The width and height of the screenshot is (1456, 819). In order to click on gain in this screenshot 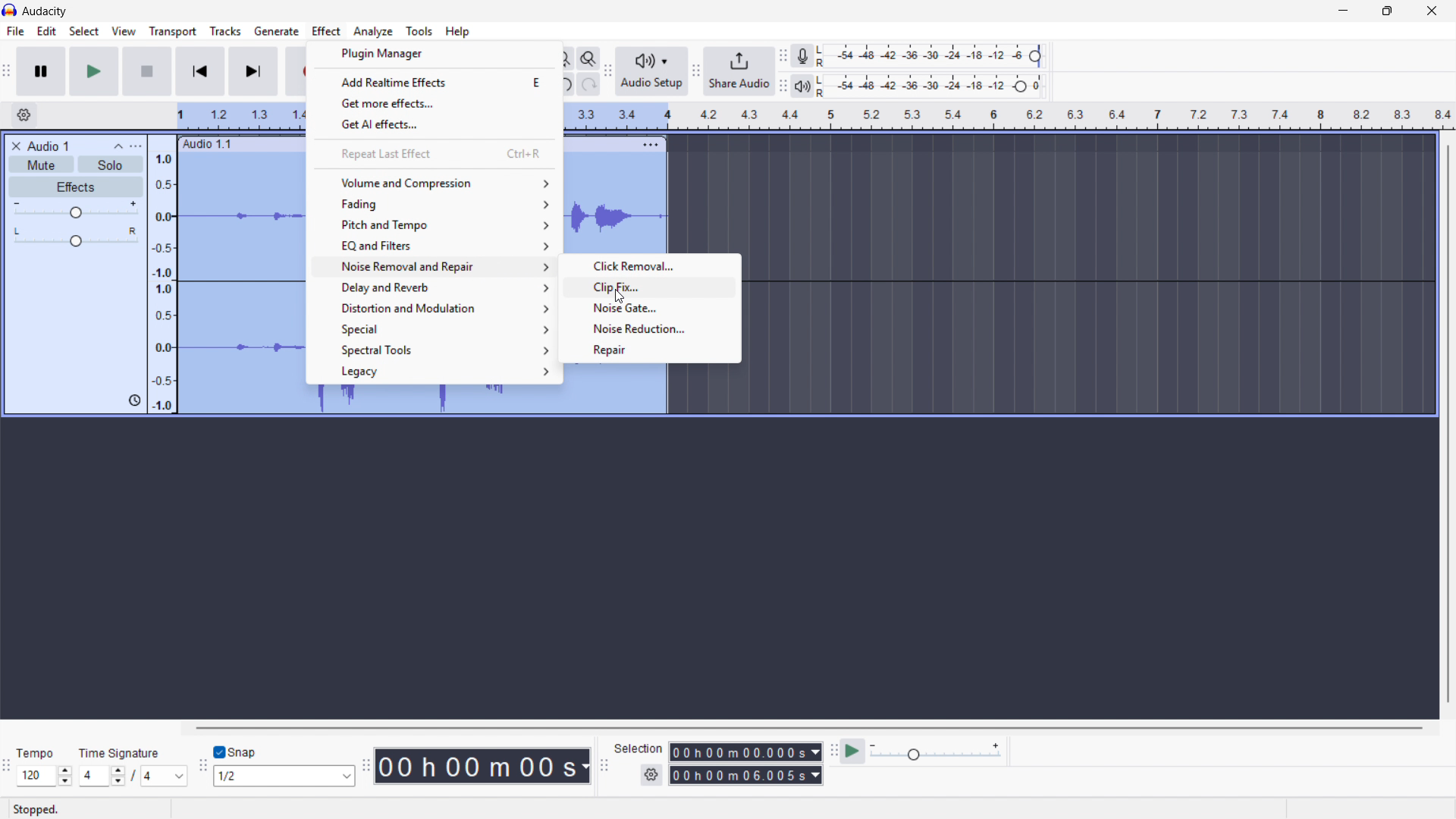, I will do `click(77, 212)`.